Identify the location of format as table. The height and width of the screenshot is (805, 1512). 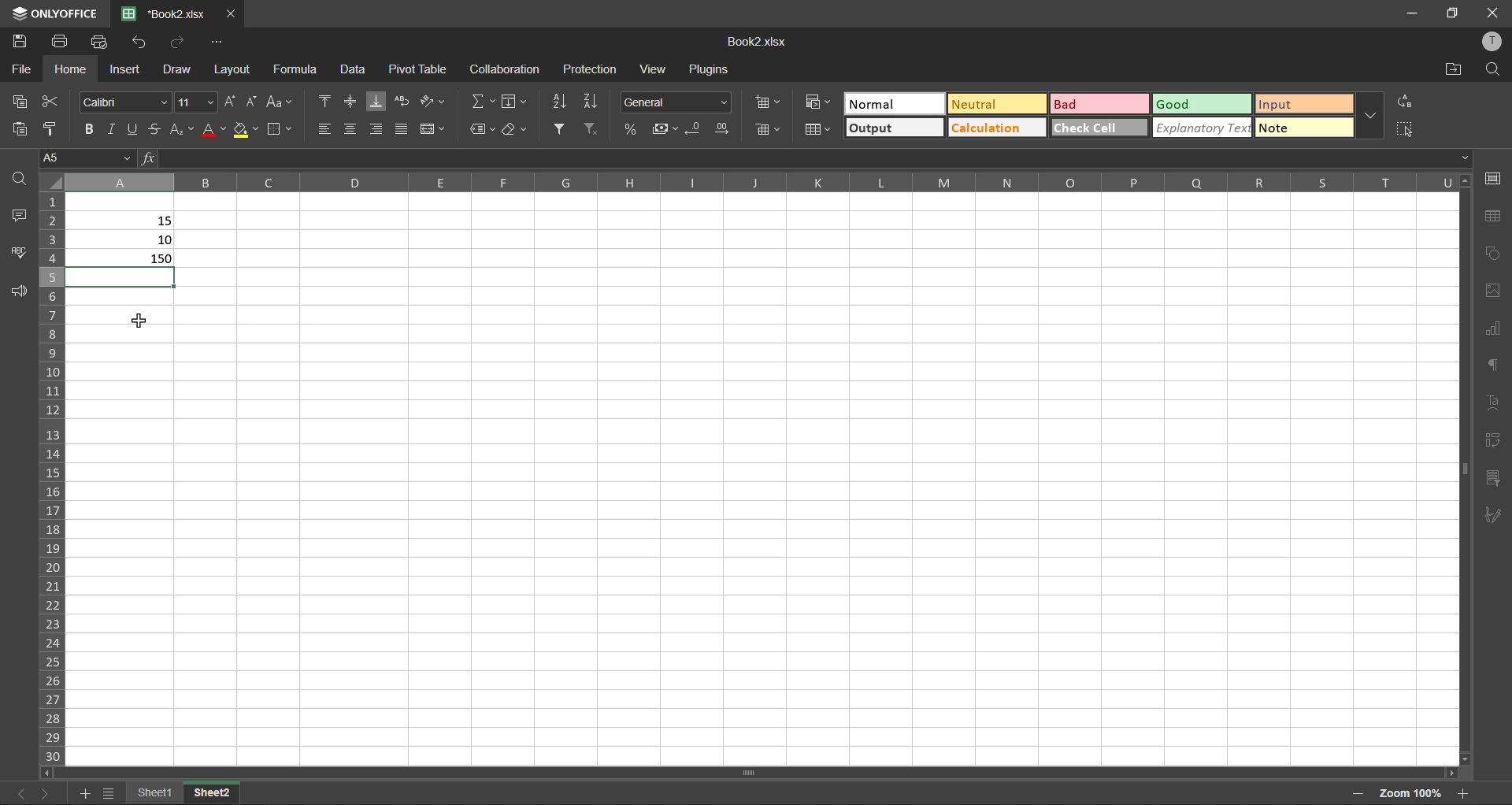
(818, 130).